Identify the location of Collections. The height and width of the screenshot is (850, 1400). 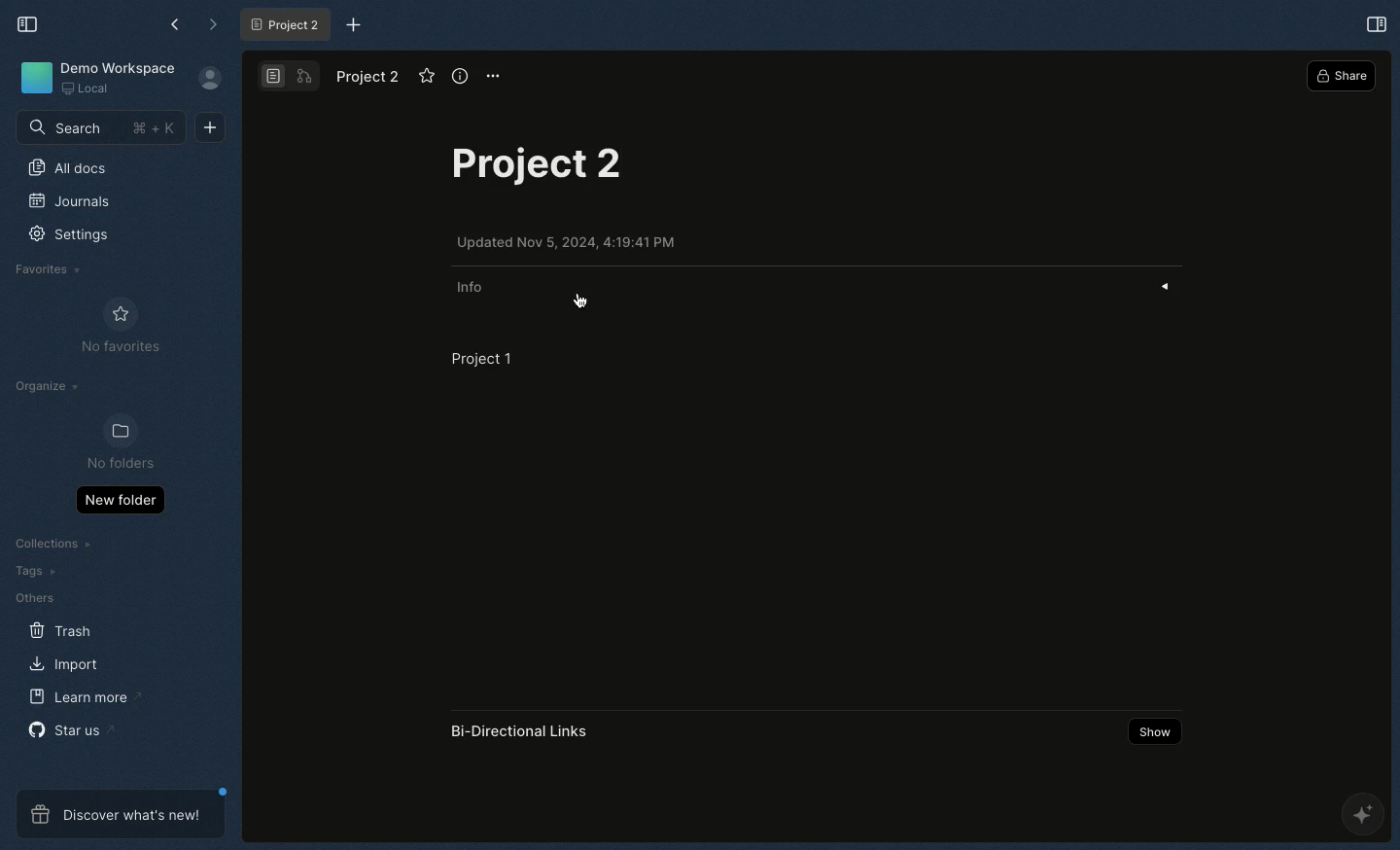
(52, 542).